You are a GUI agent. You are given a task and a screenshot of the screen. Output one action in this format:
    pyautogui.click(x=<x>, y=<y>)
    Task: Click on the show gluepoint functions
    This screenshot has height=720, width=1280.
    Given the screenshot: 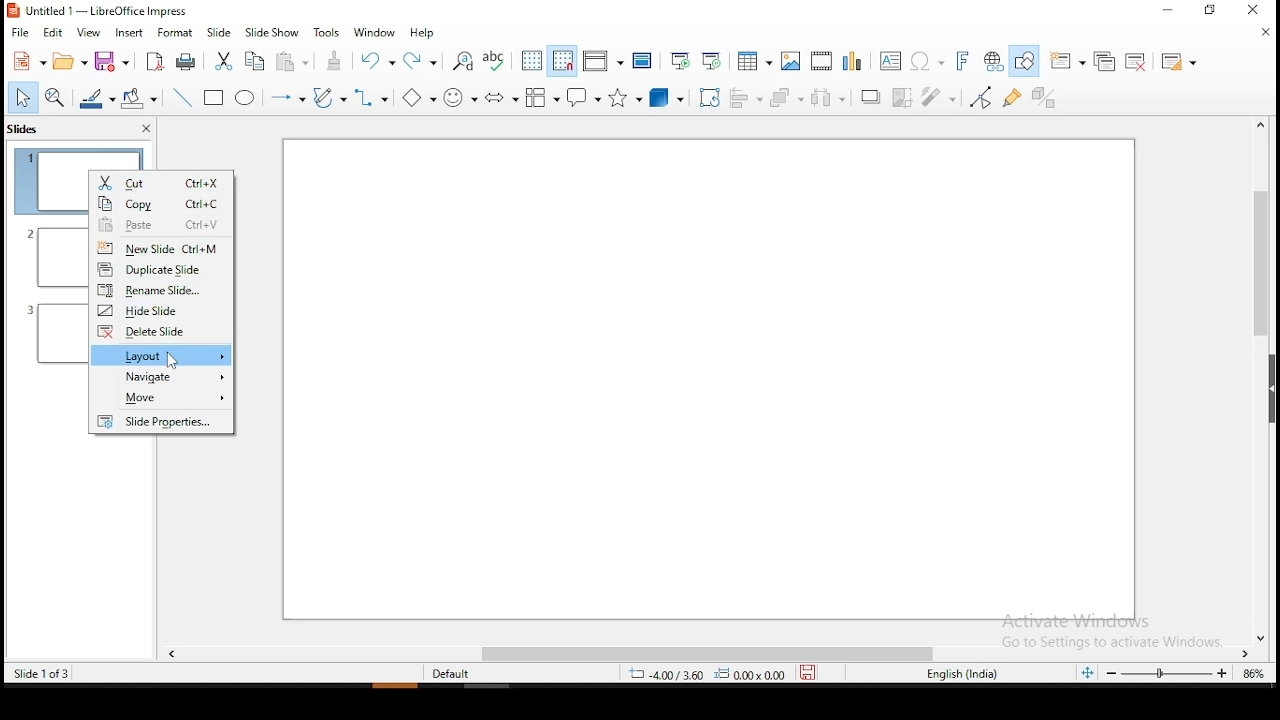 What is the action you would take?
    pyautogui.click(x=1011, y=97)
    